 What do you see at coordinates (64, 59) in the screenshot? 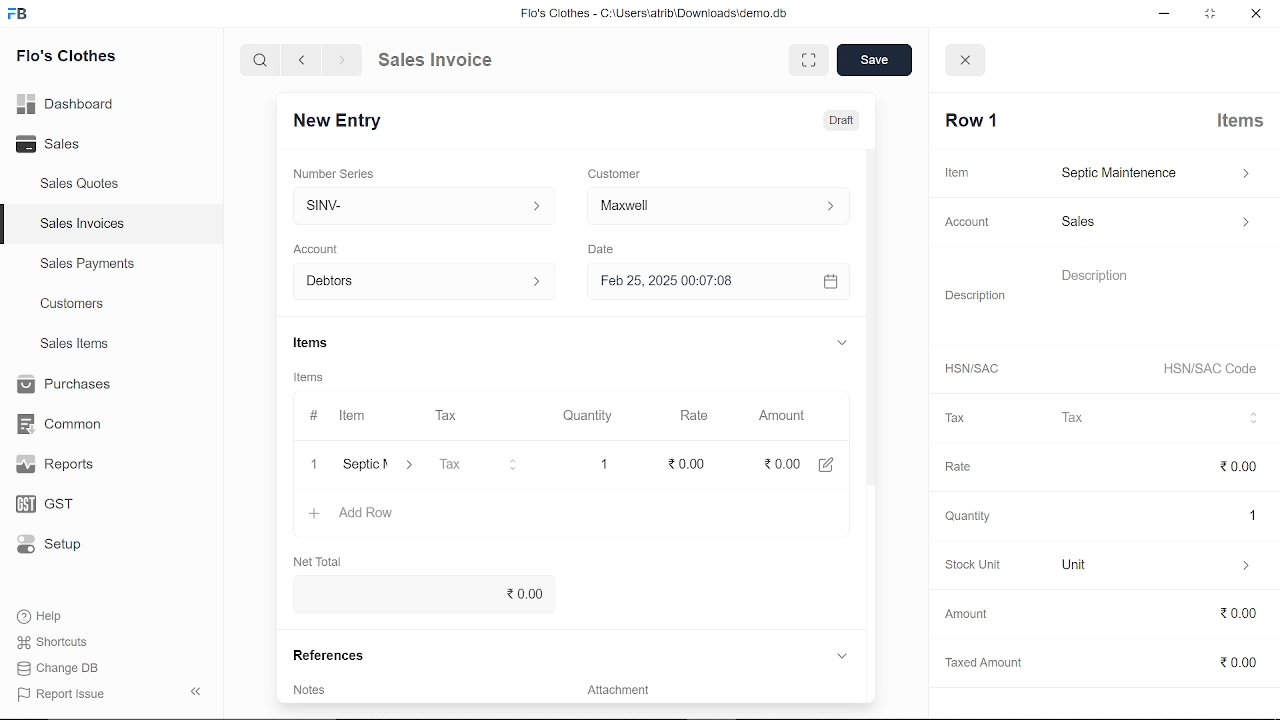
I see `Flo's Clothes` at bounding box center [64, 59].